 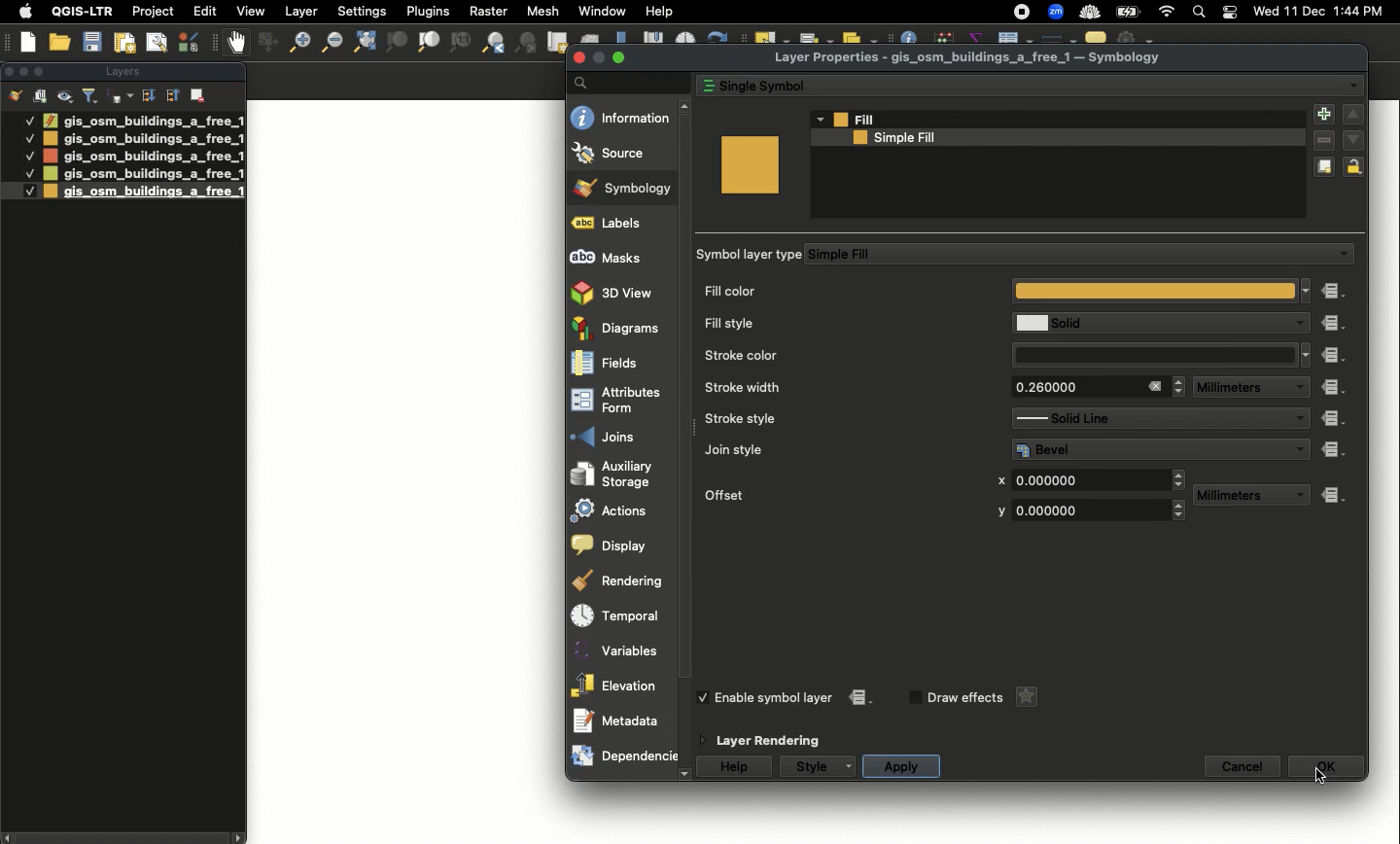 I want to click on Simple fill, so click(x=1044, y=138).